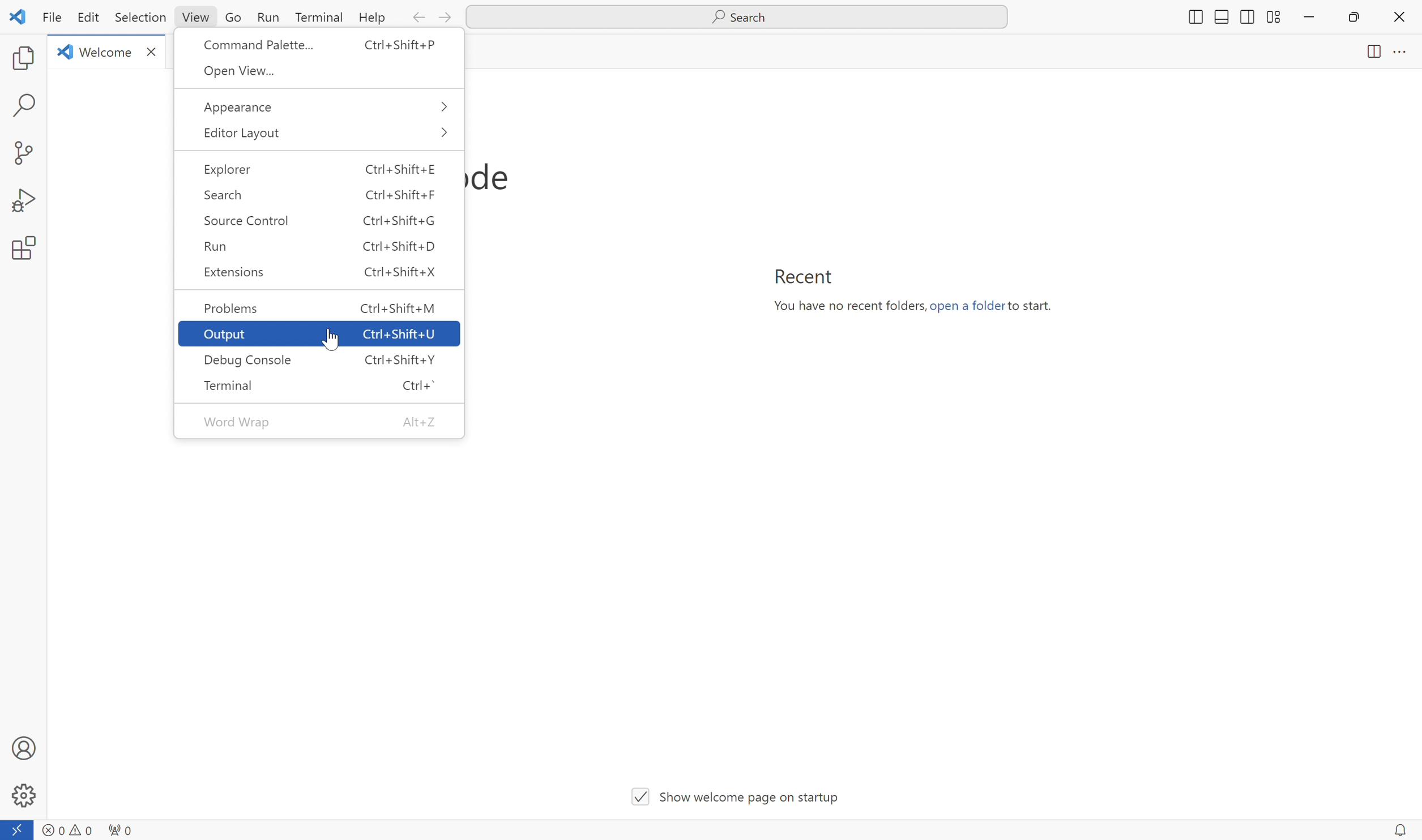  What do you see at coordinates (323, 387) in the screenshot?
I see `terminal` at bounding box center [323, 387].